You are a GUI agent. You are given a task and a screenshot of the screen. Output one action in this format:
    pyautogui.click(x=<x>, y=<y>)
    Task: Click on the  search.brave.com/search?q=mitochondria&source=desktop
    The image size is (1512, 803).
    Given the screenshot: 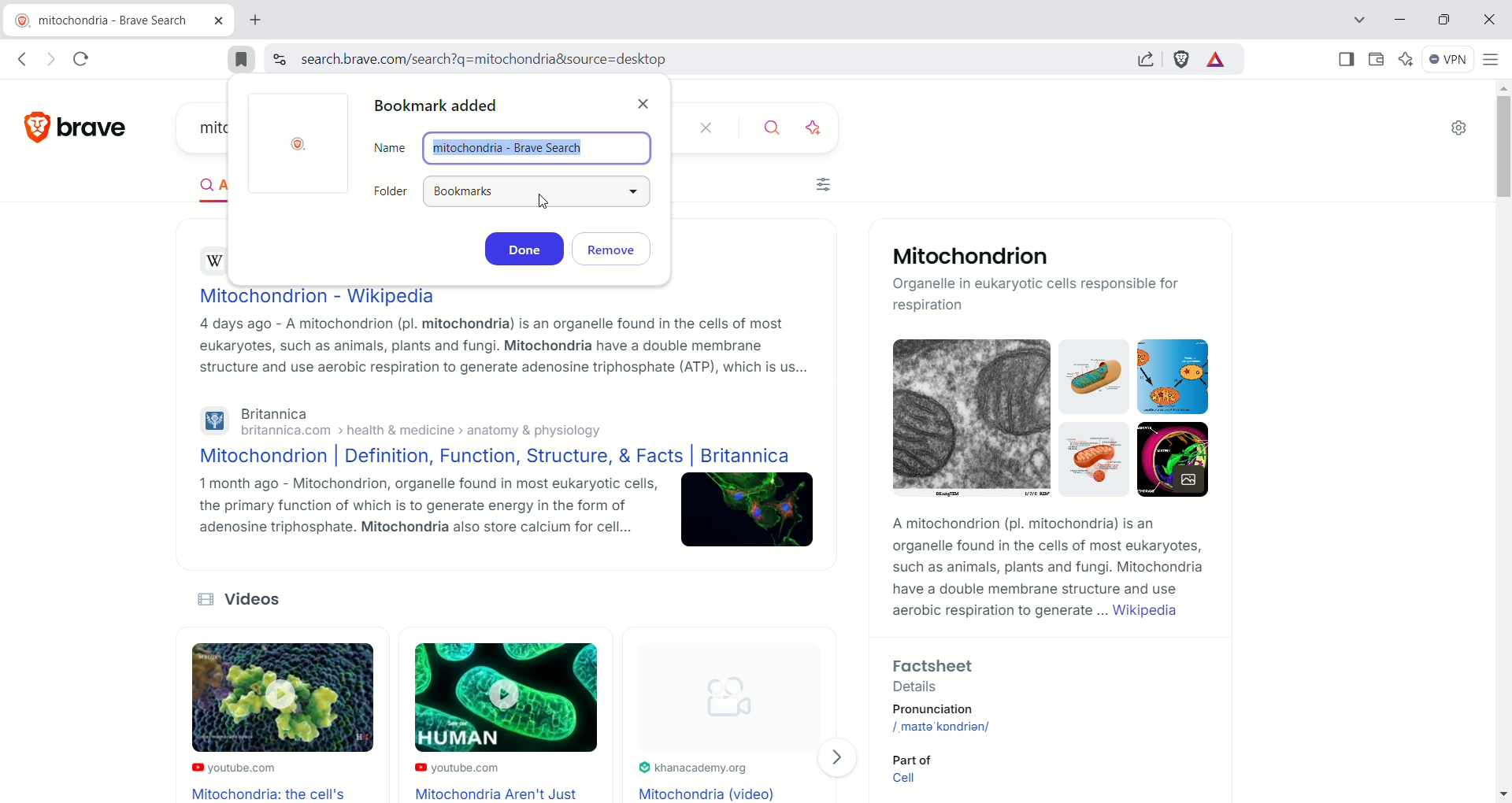 What is the action you would take?
    pyautogui.click(x=480, y=59)
    